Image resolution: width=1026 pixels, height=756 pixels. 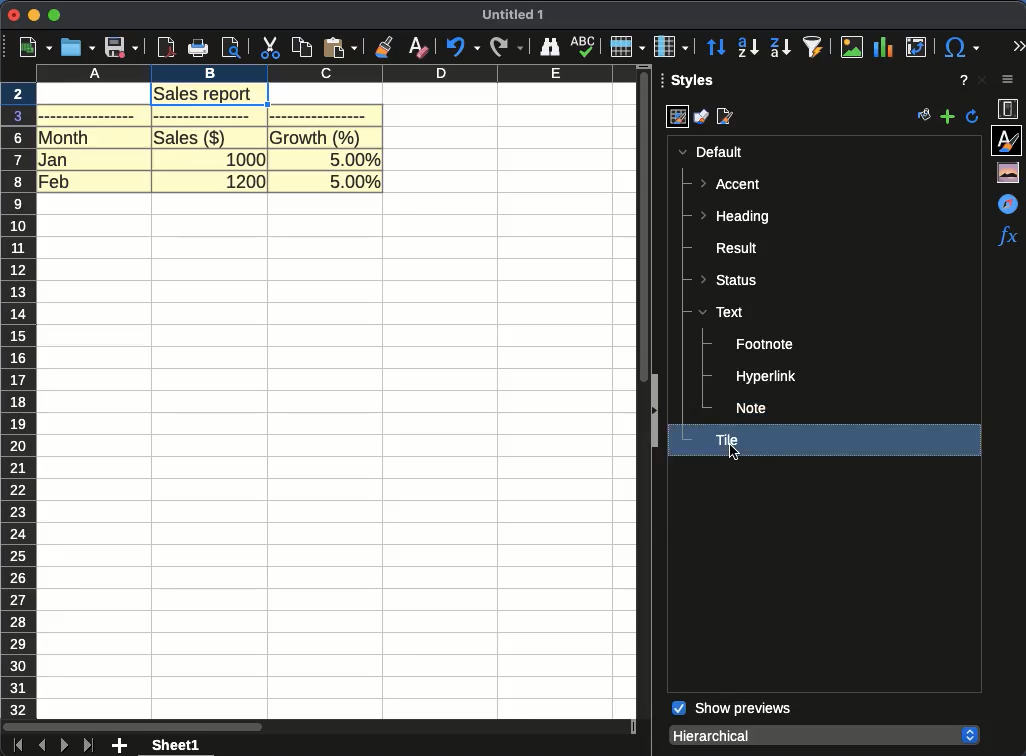 What do you see at coordinates (814, 46) in the screenshot?
I see `autofilter` at bounding box center [814, 46].